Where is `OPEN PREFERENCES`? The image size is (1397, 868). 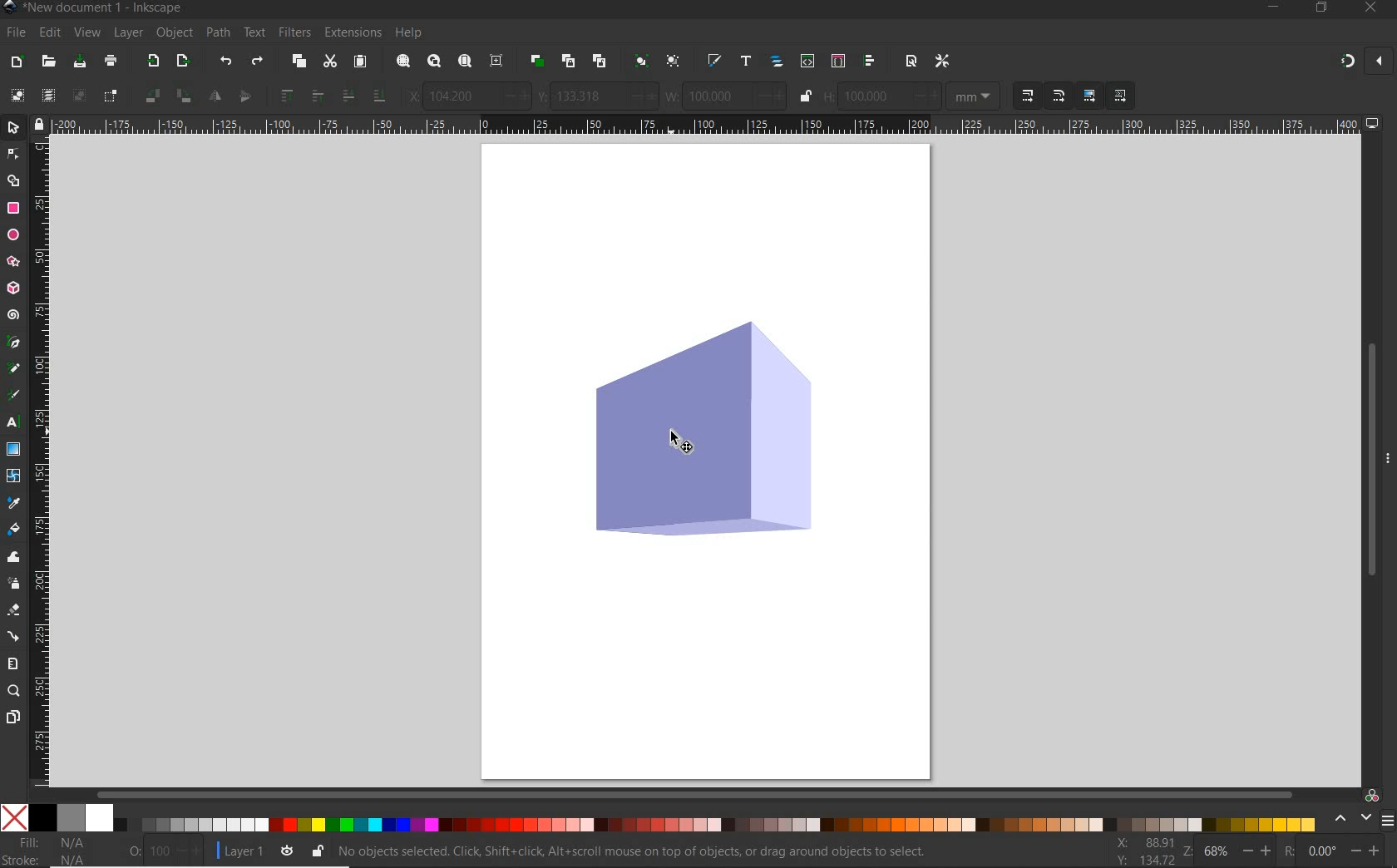 OPEN PREFERENCES is located at coordinates (942, 62).